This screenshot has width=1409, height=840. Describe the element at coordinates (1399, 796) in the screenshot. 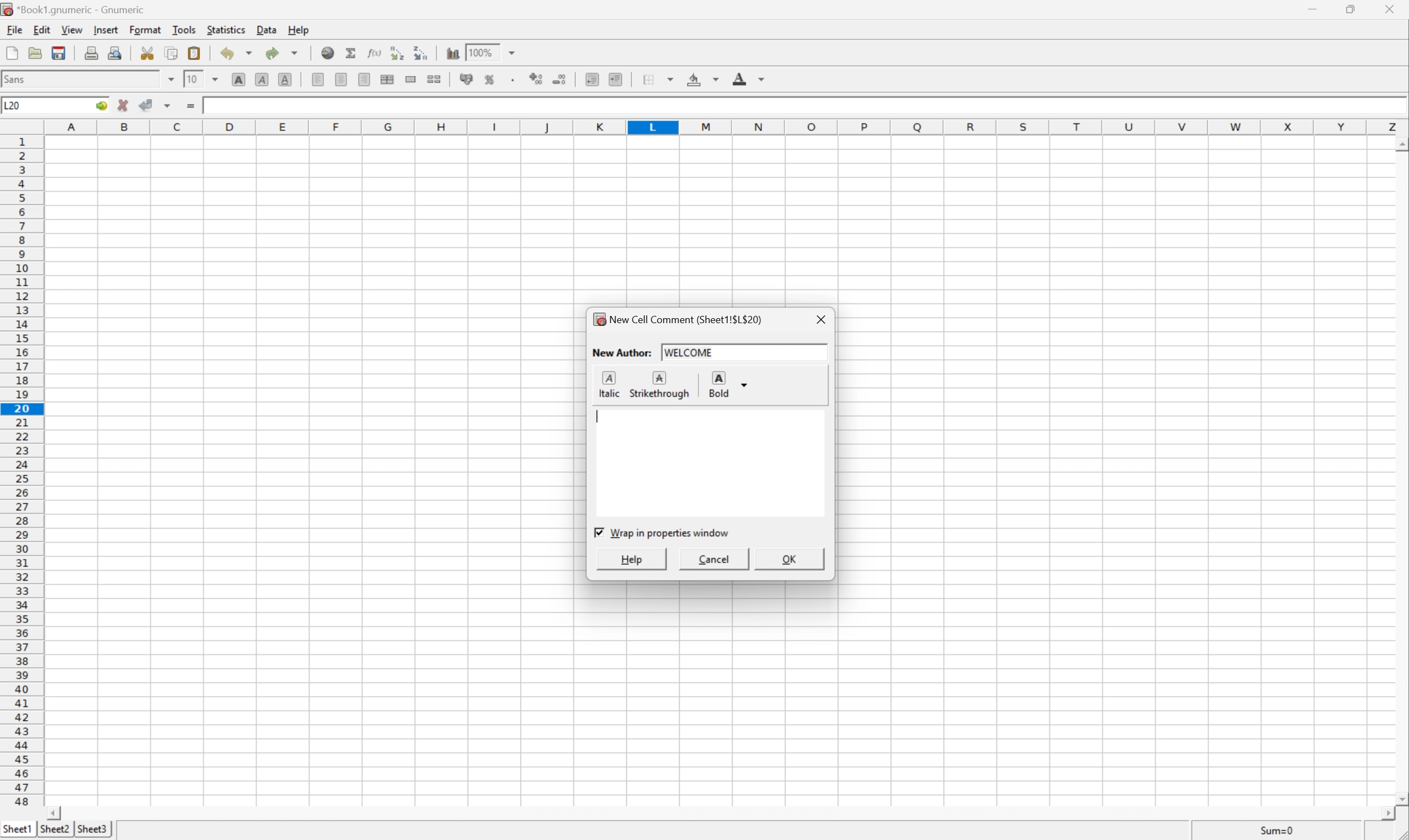

I see `Scroll Down` at that location.